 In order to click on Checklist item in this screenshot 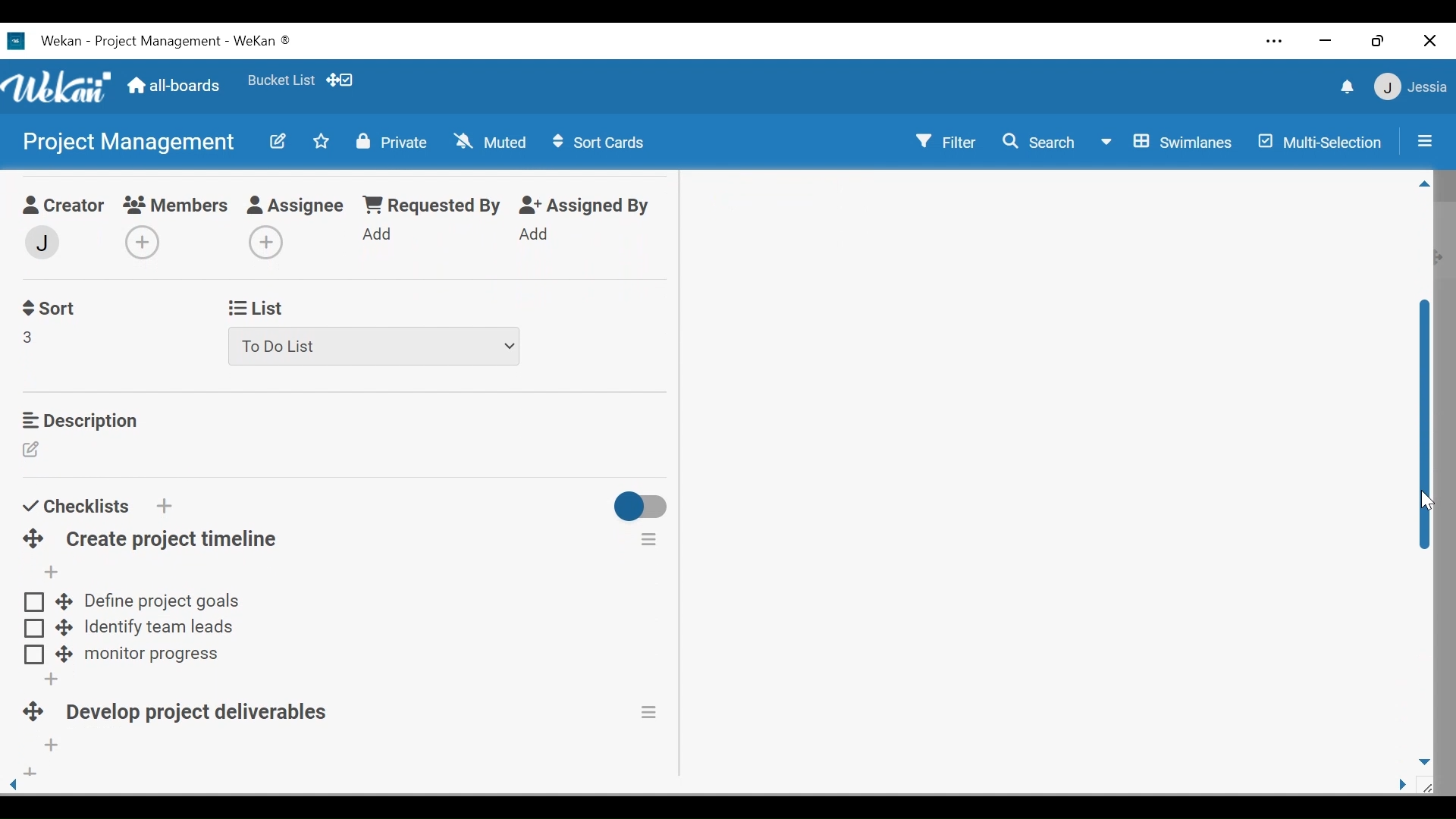, I will do `click(158, 629)`.